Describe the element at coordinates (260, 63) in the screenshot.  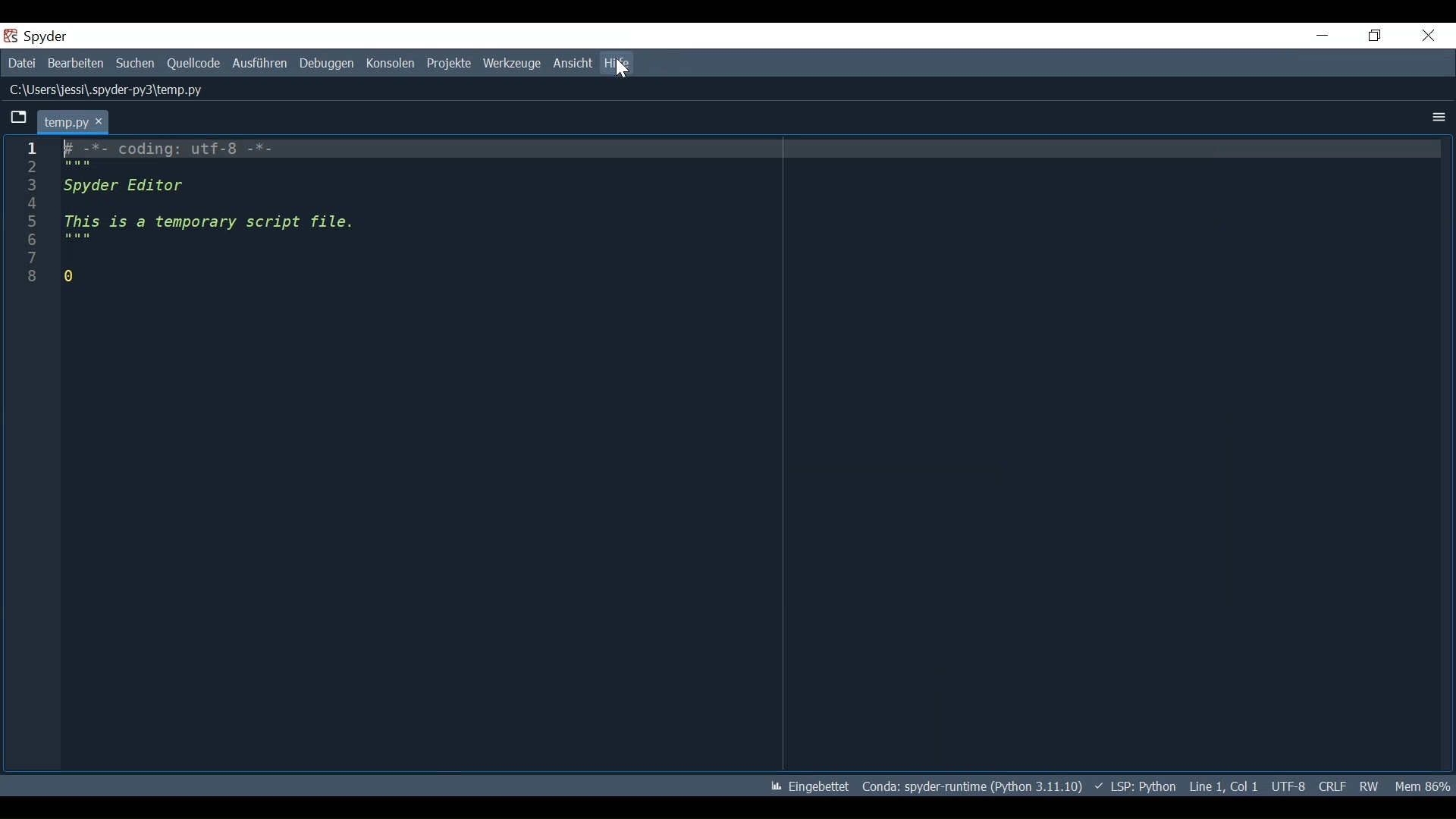
I see `Run` at that location.